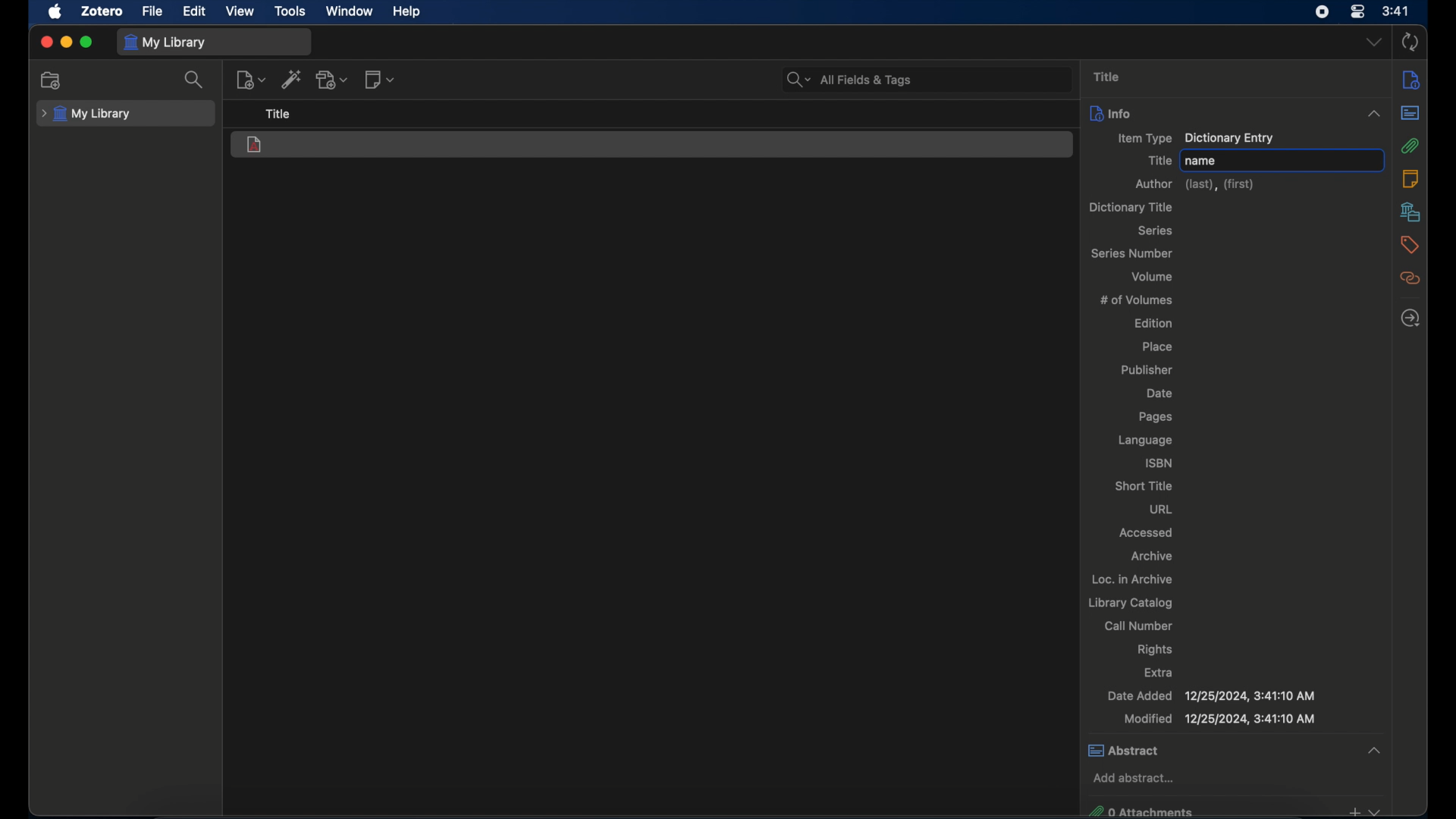 The height and width of the screenshot is (819, 1456). Describe the element at coordinates (1410, 245) in the screenshot. I see `tags` at that location.